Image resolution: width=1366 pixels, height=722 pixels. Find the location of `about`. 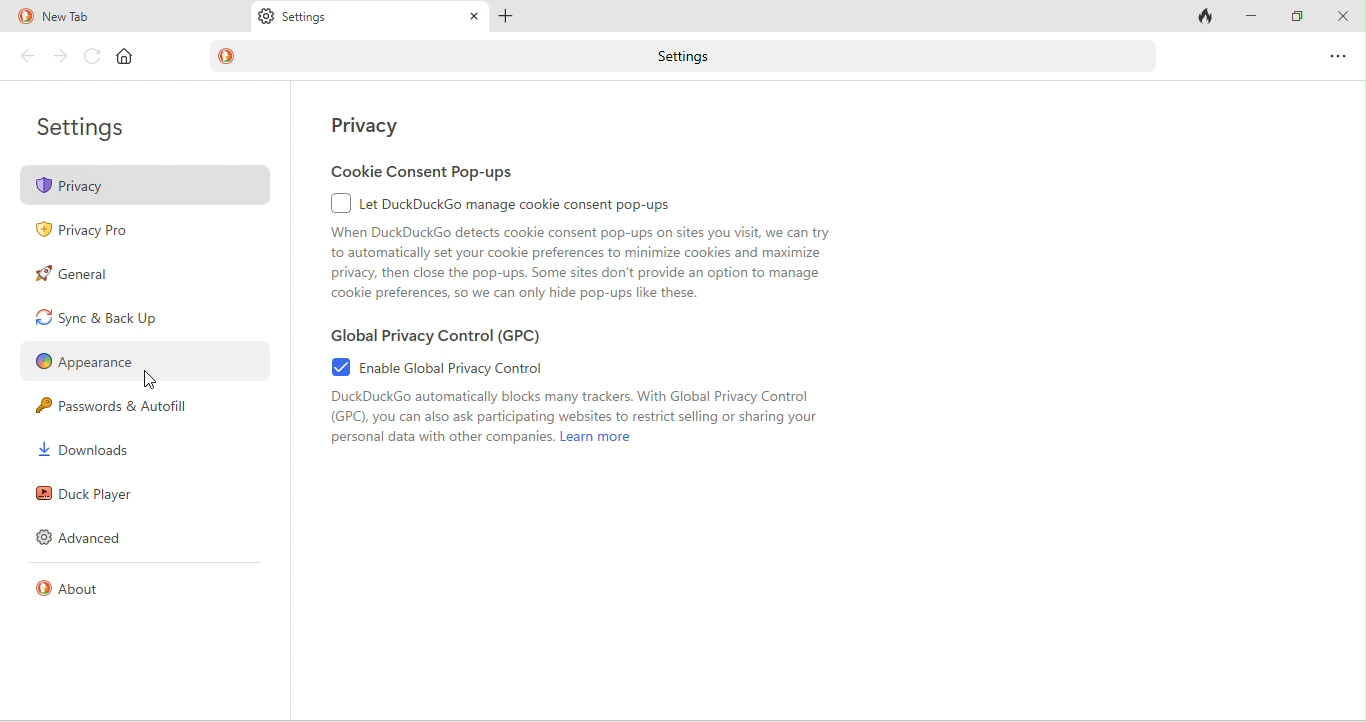

about is located at coordinates (80, 592).